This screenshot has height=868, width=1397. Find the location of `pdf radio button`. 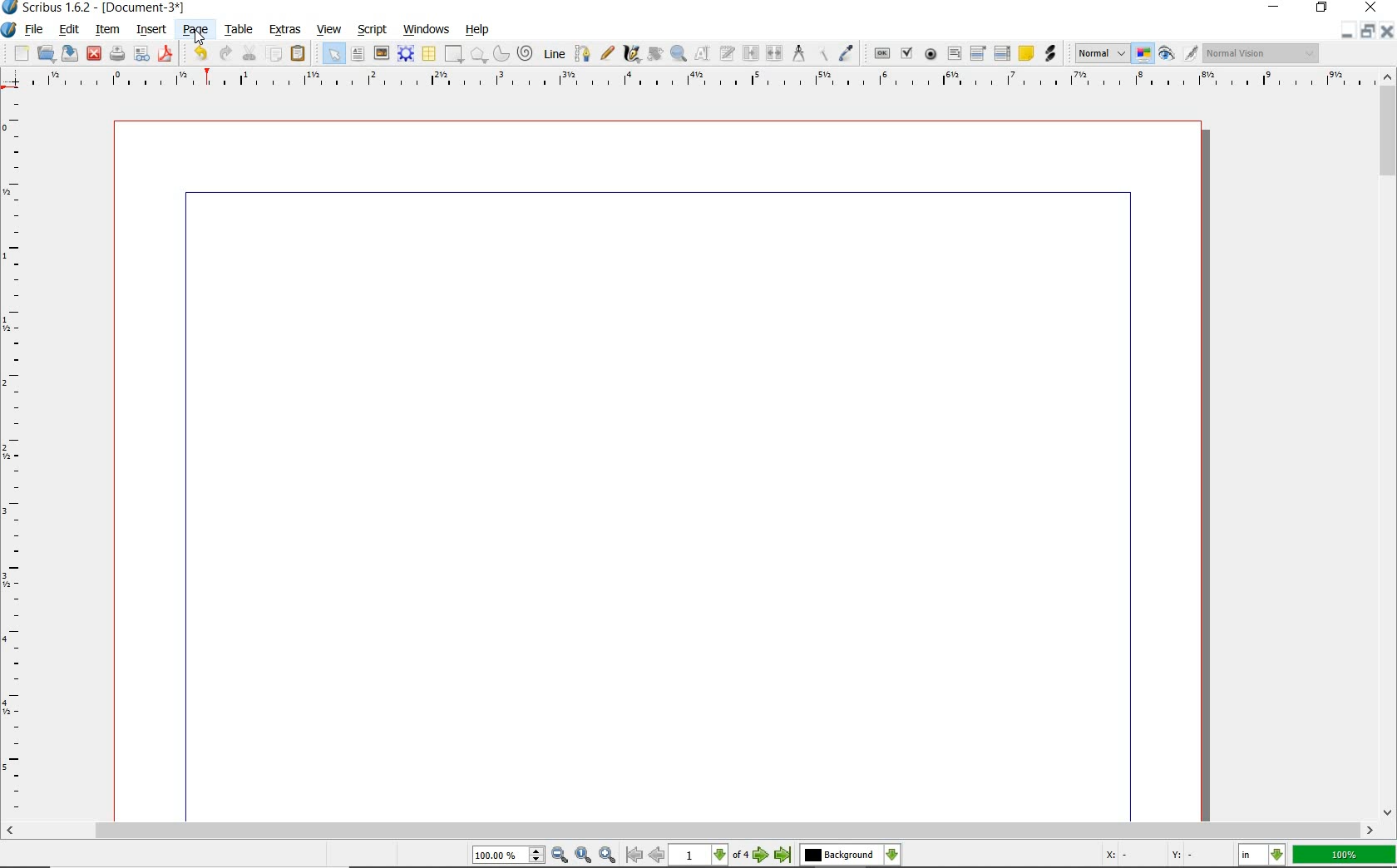

pdf radio button is located at coordinates (931, 54).